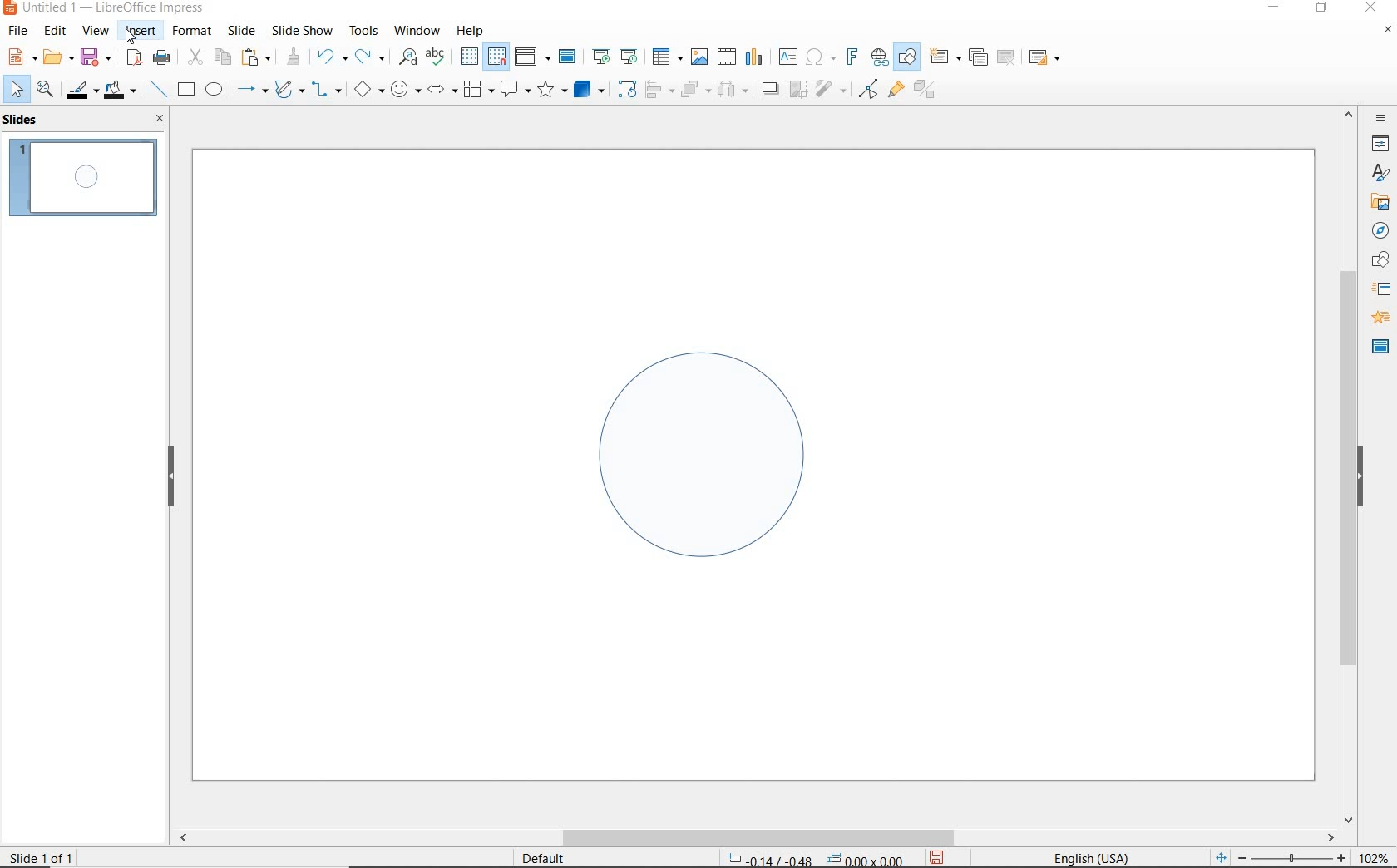 The width and height of the screenshot is (1397, 868). I want to click on animation, so click(1378, 318).